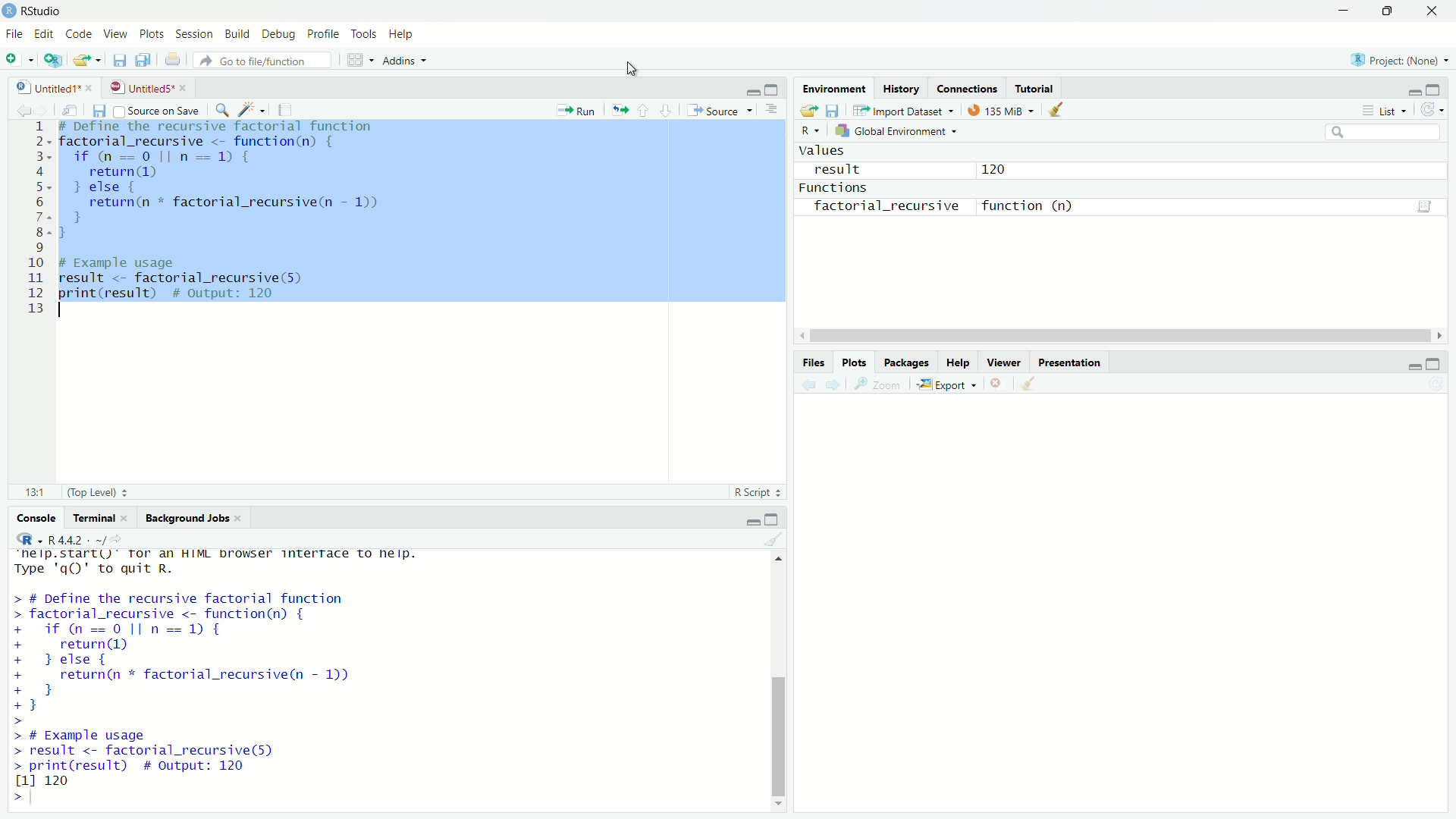  What do you see at coordinates (899, 86) in the screenshot?
I see `History` at bounding box center [899, 86].